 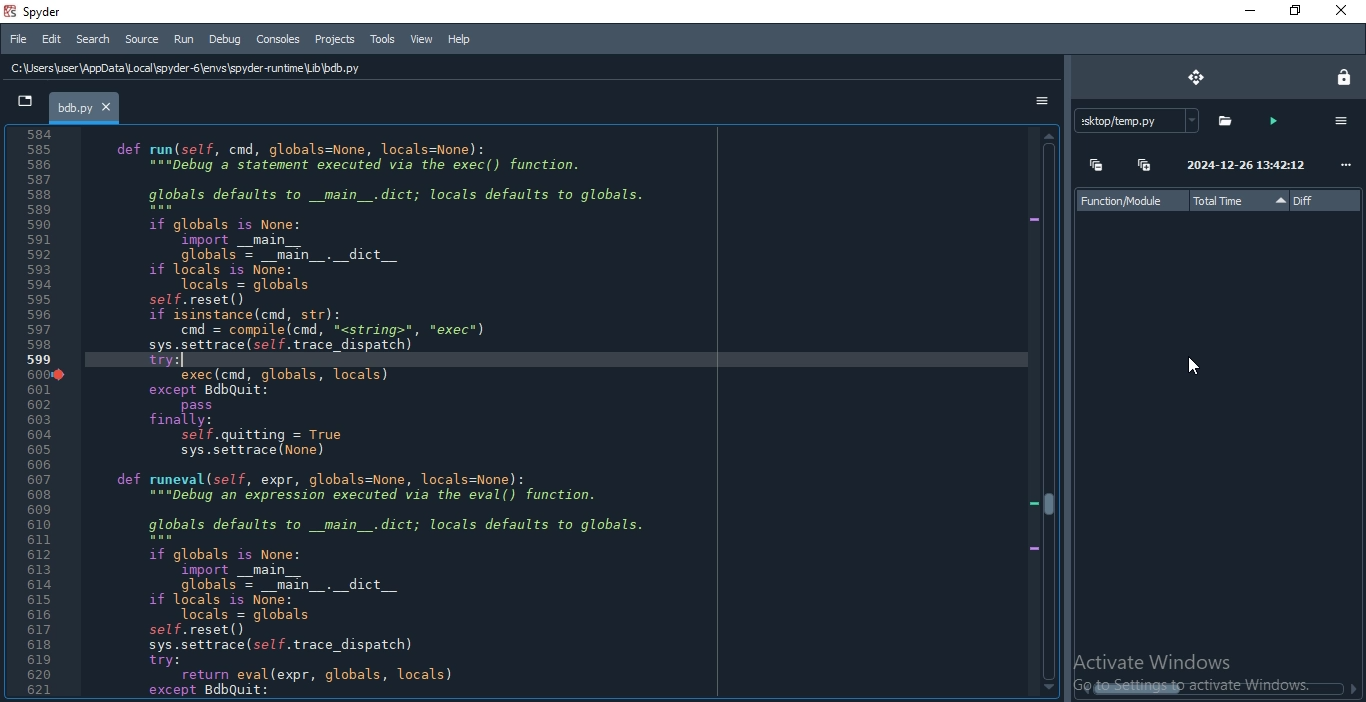 I want to click on View, so click(x=420, y=39).